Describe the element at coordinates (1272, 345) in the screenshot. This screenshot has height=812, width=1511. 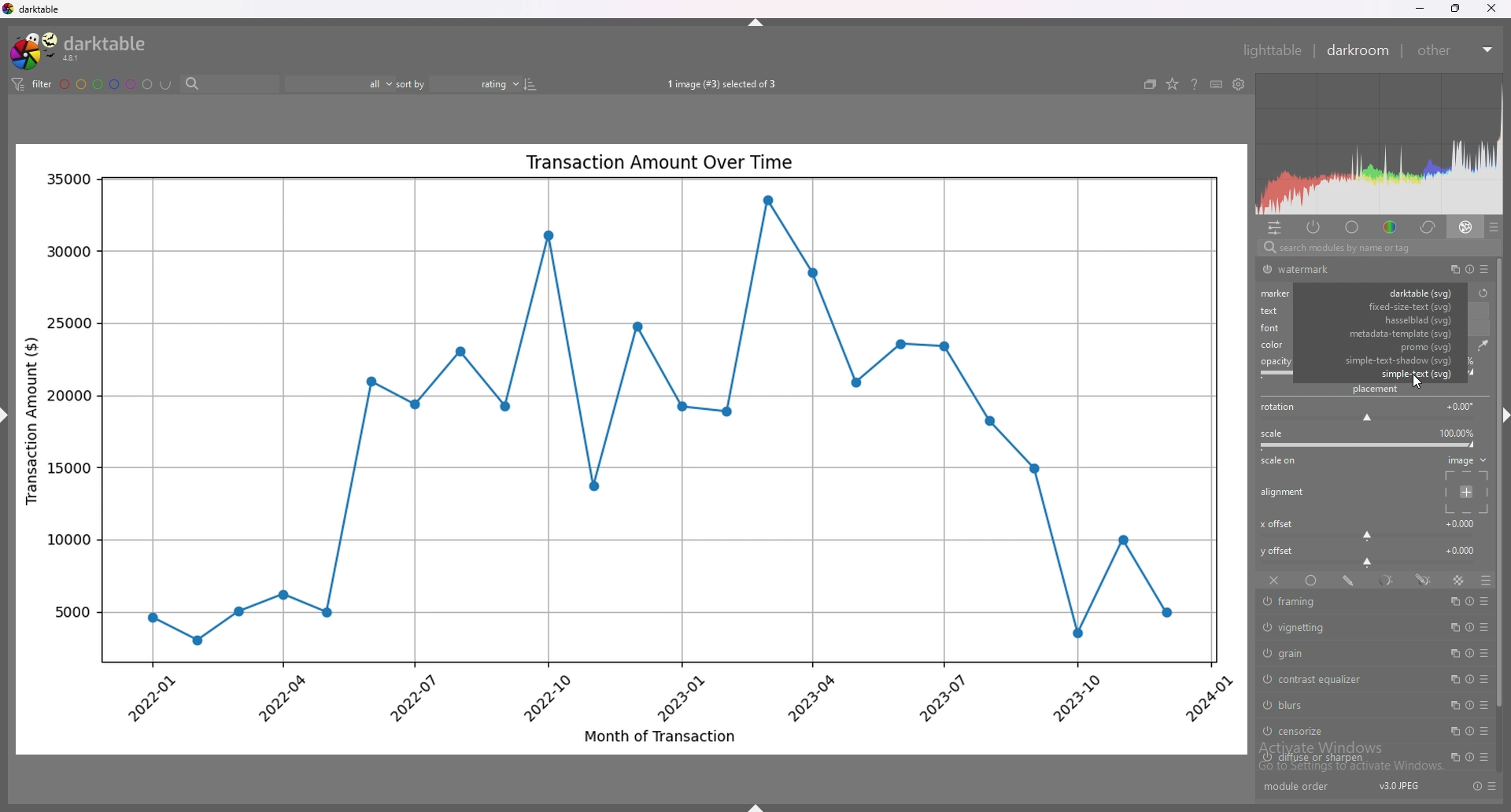
I see `color` at that location.